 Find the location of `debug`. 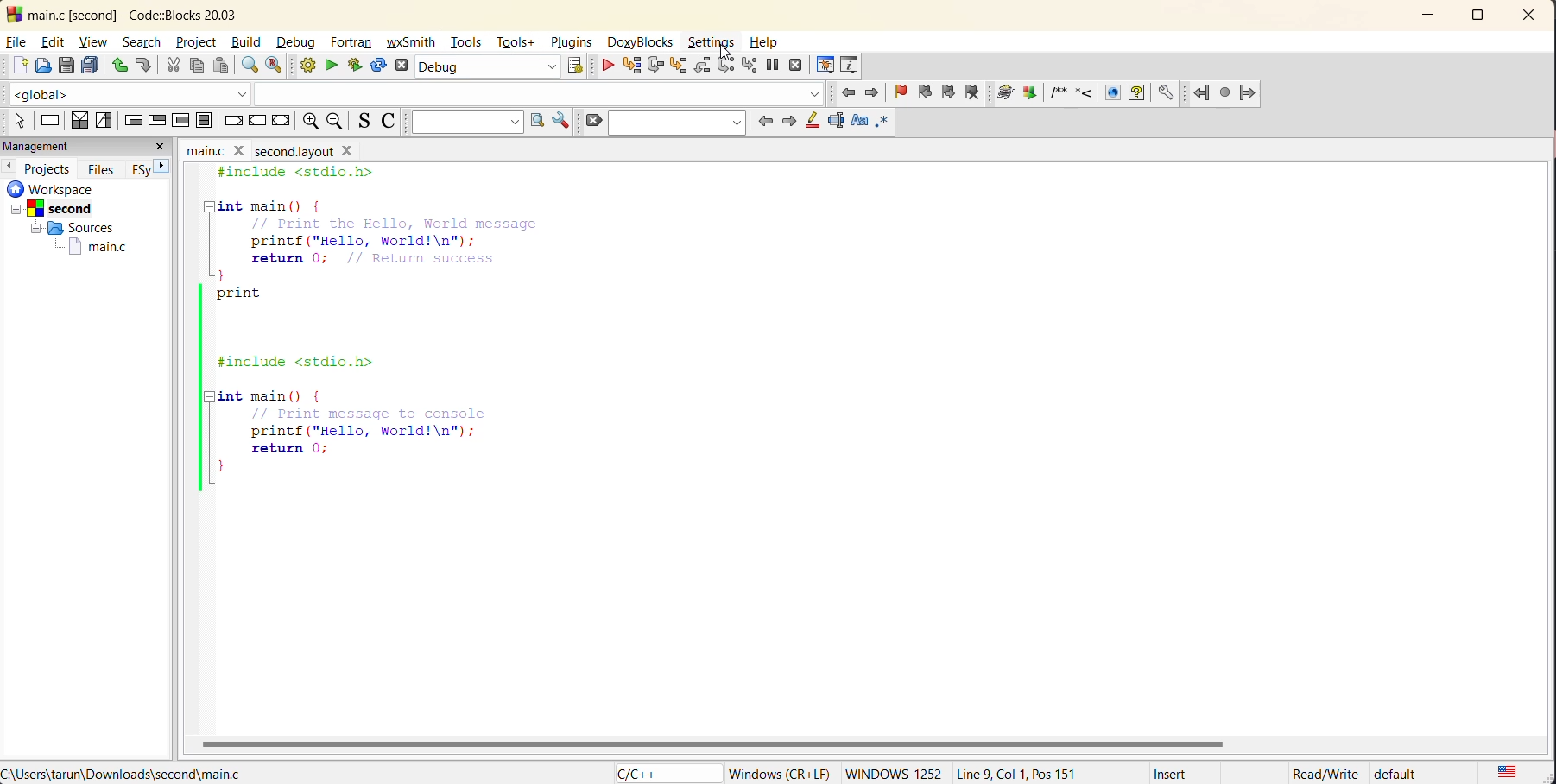

debug is located at coordinates (607, 66).